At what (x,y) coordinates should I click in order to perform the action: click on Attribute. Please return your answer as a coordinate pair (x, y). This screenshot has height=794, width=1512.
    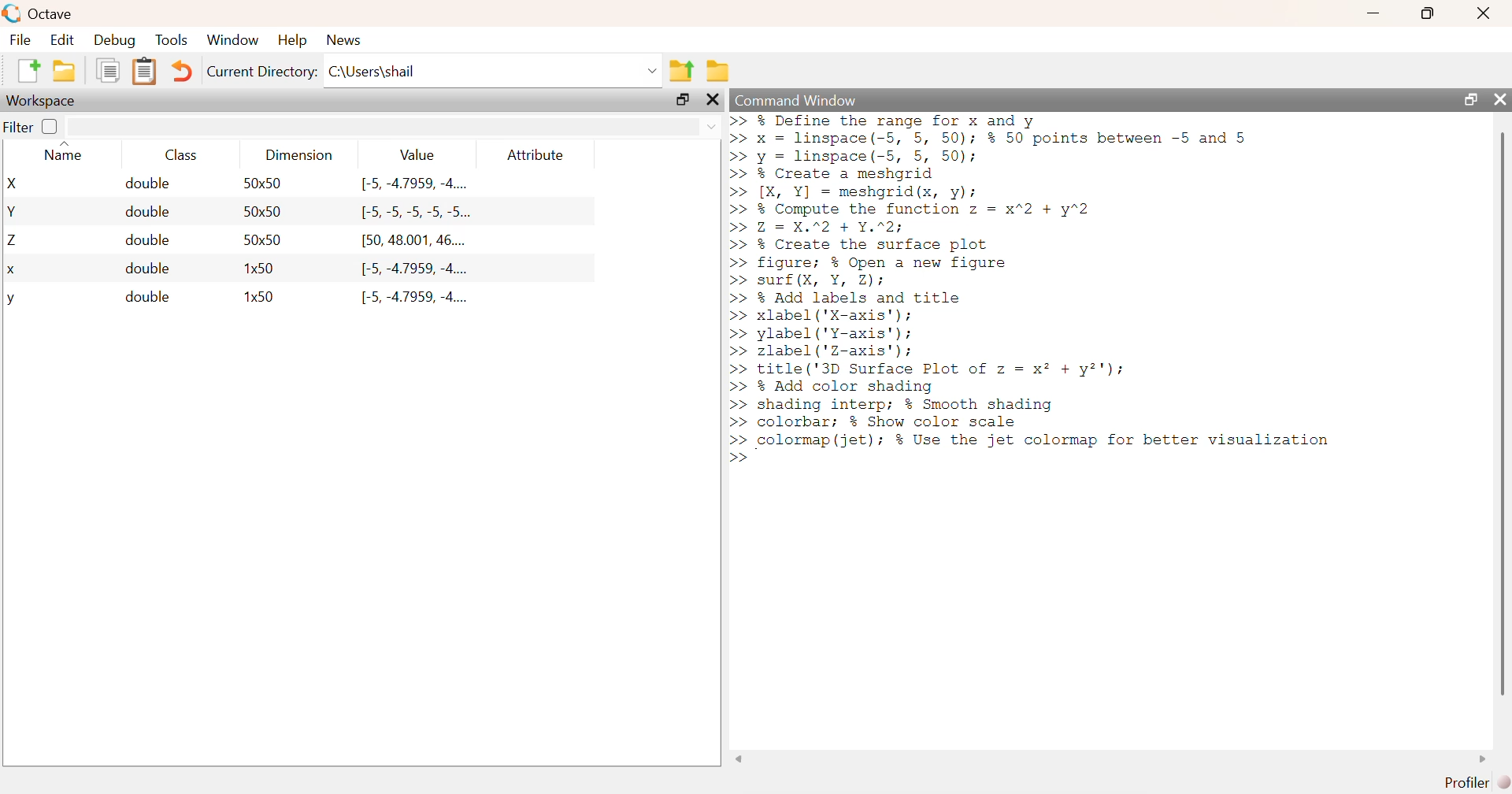
    Looking at the image, I should click on (537, 154).